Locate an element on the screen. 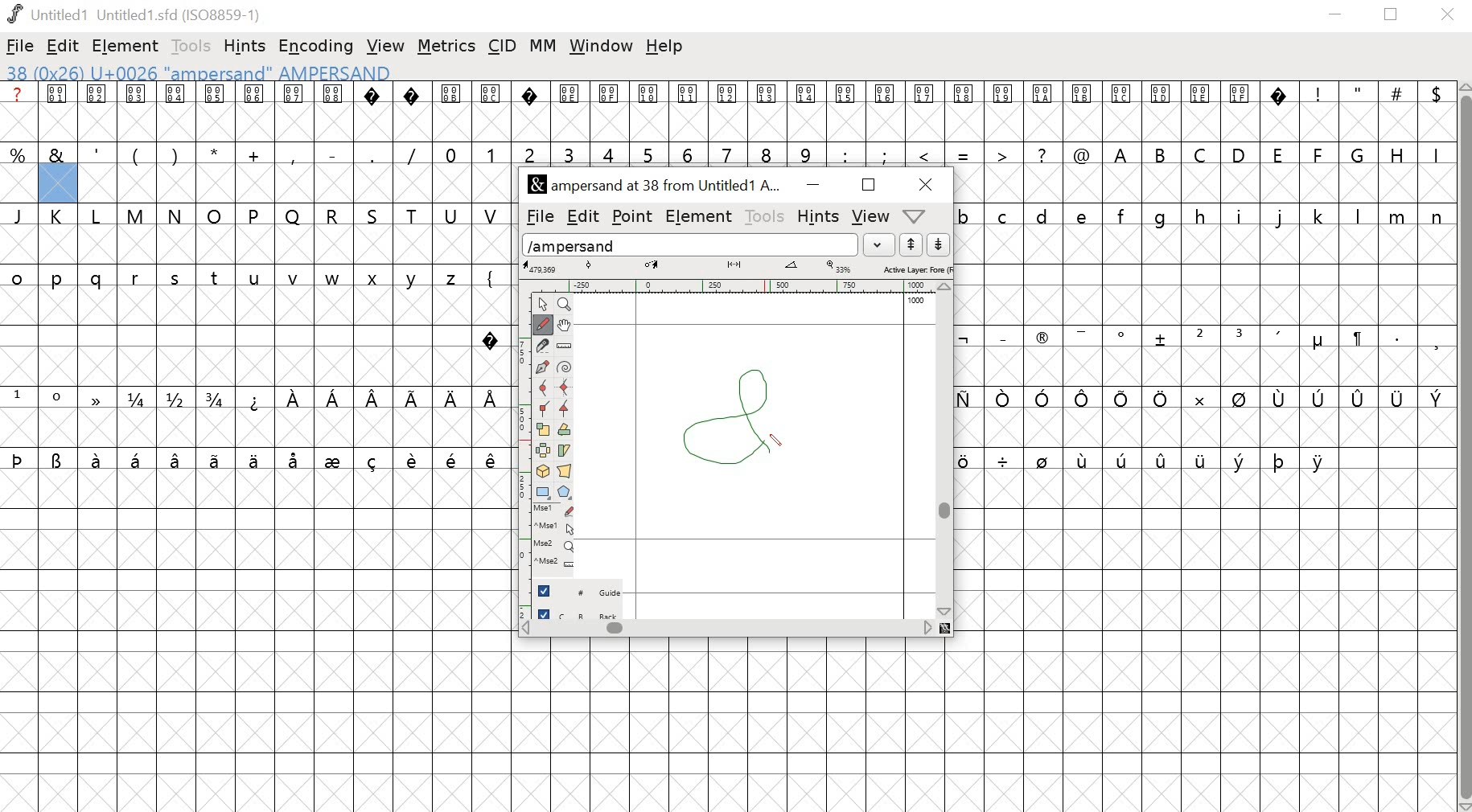 Image resolution: width=1472 pixels, height=812 pixels. u is located at coordinates (256, 279).